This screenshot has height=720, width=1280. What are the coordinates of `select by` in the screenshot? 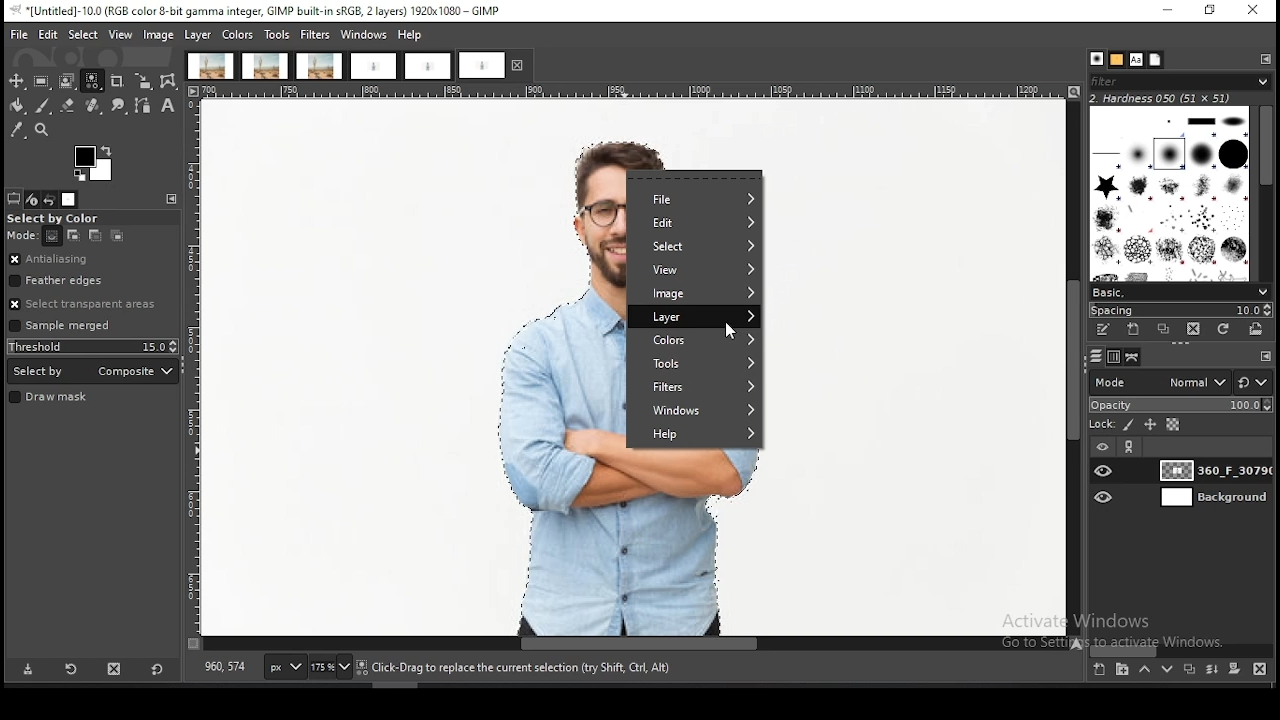 It's located at (93, 371).